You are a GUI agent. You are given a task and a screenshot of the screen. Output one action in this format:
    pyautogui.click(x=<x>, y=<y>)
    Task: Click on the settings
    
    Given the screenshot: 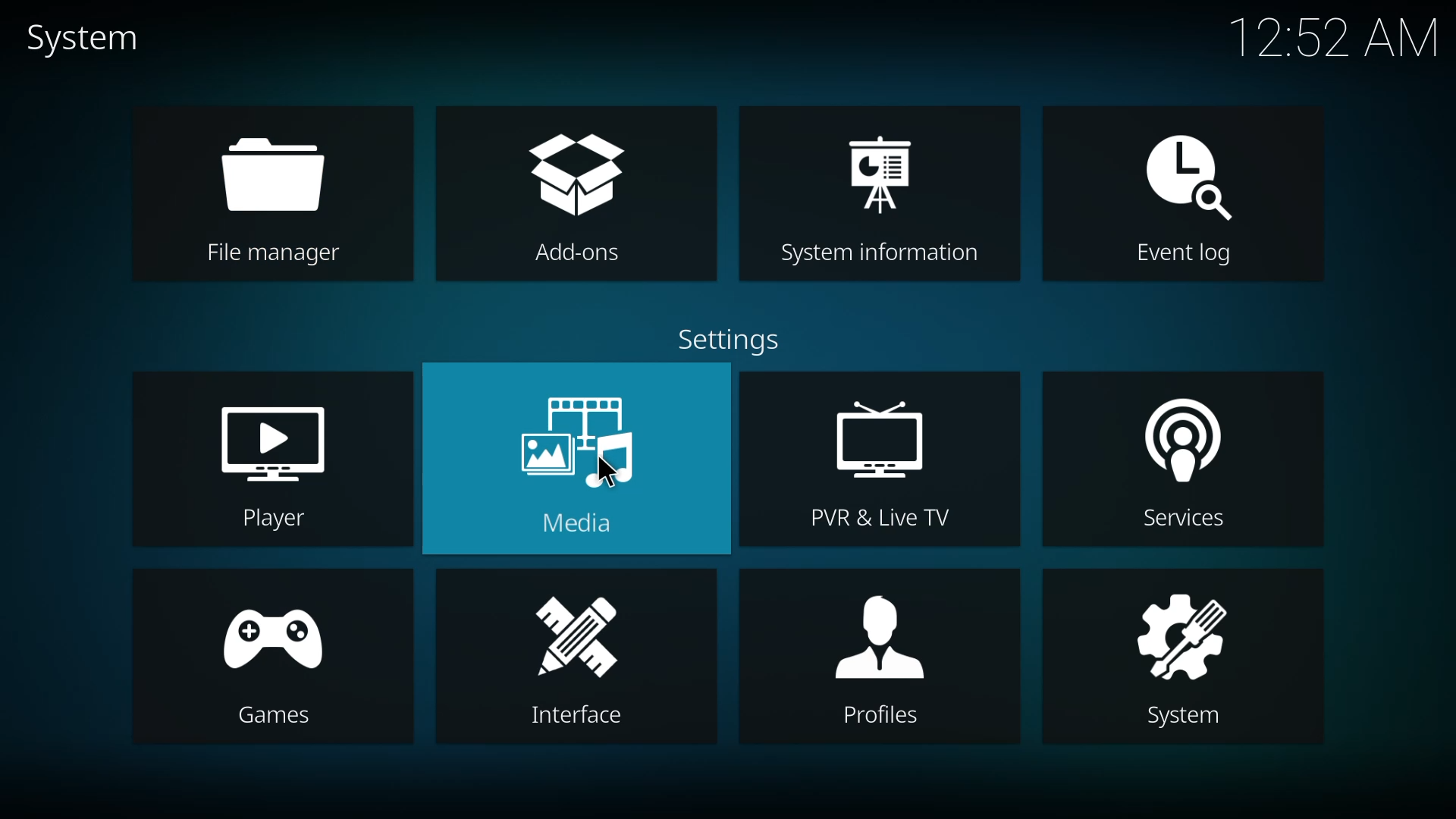 What is the action you would take?
    pyautogui.click(x=733, y=339)
    